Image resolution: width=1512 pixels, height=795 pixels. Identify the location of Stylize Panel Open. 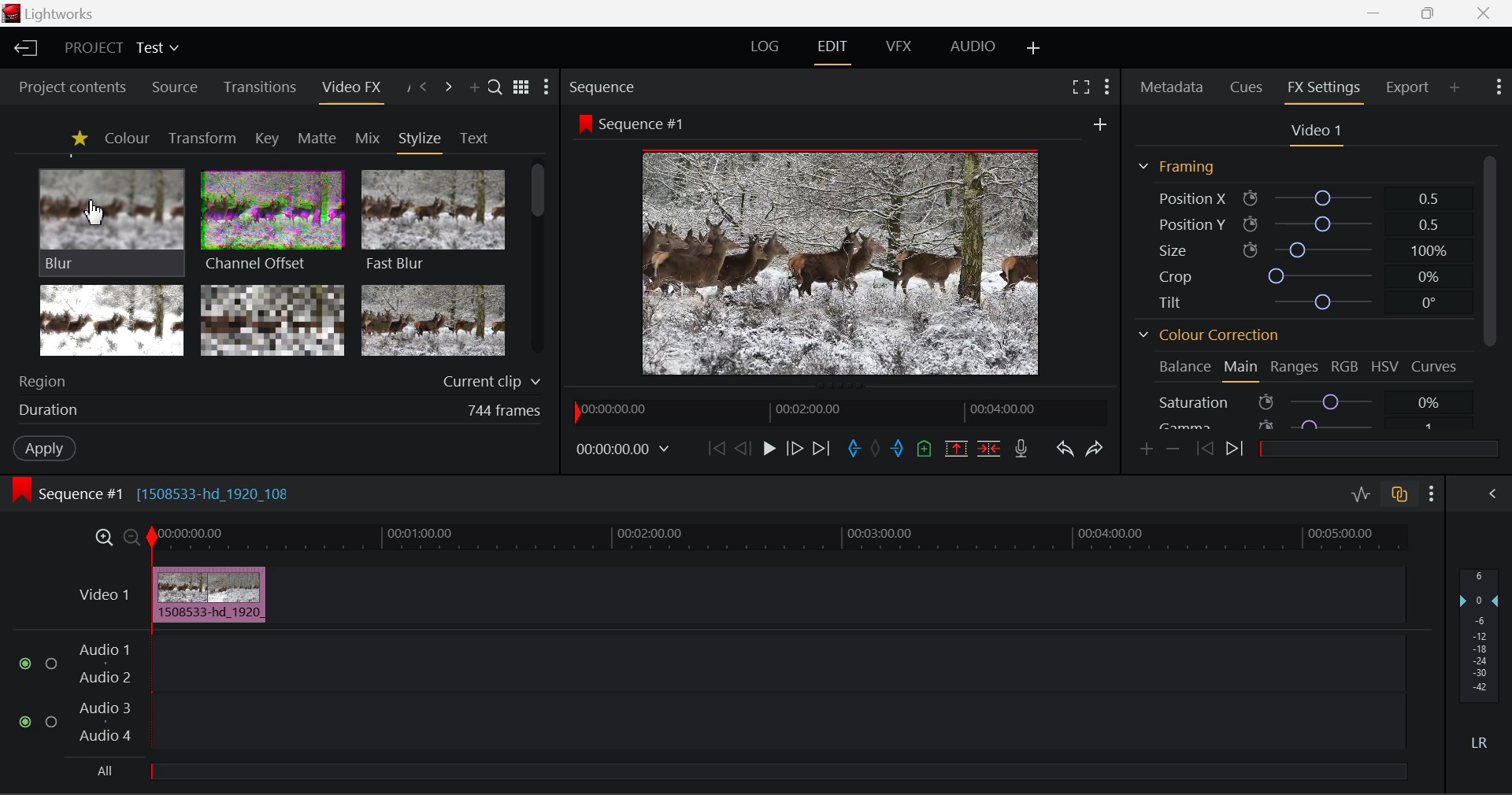
(421, 138).